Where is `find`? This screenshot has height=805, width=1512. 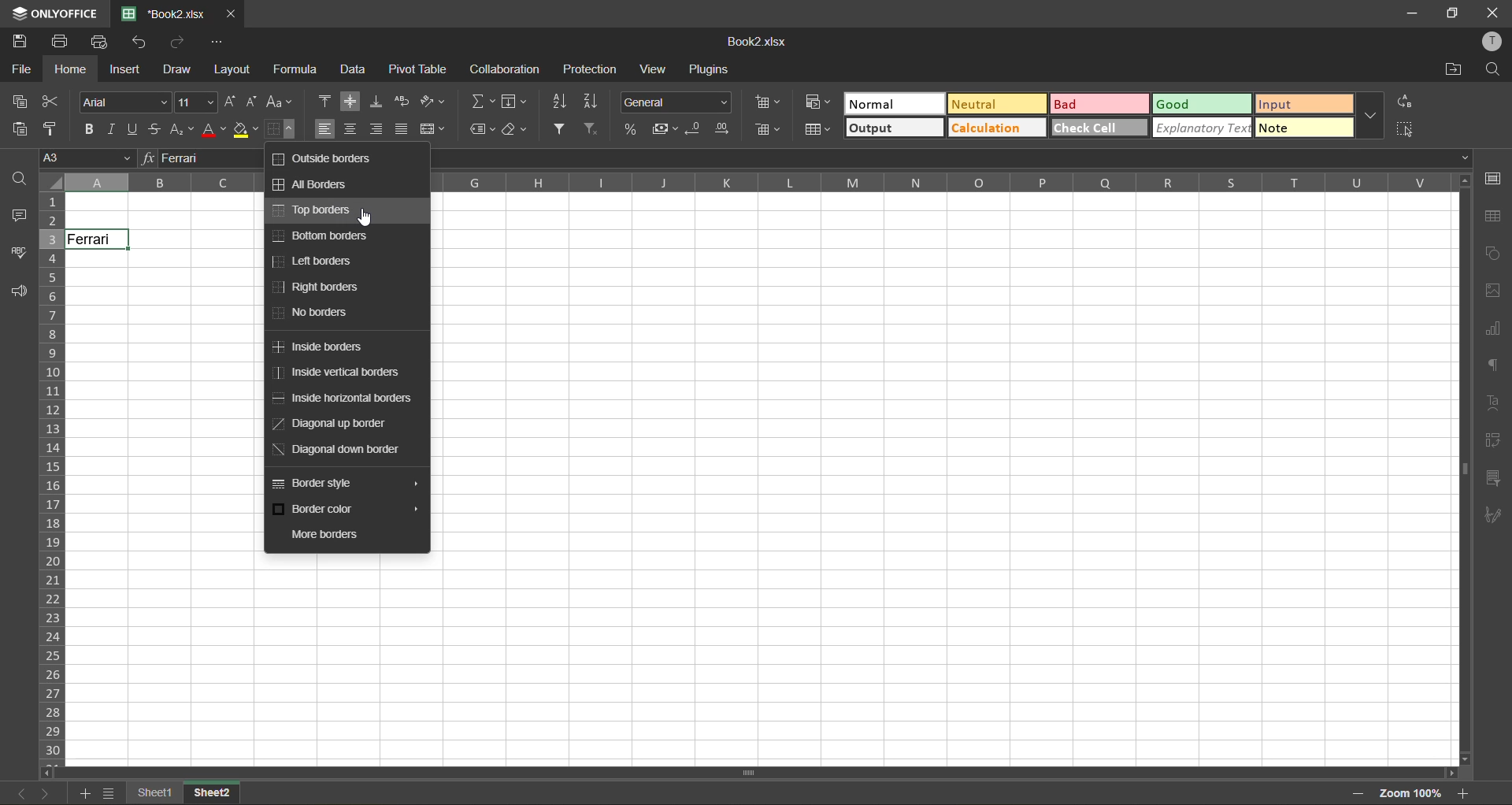 find is located at coordinates (21, 180).